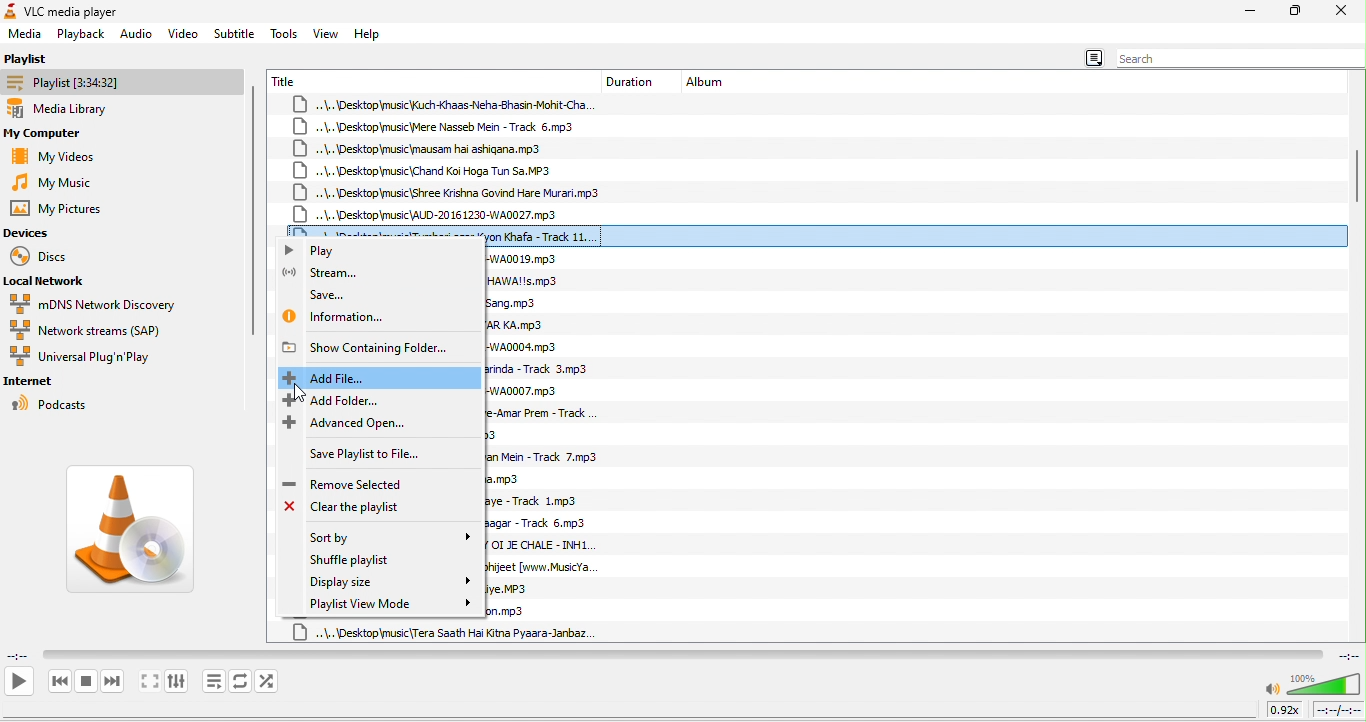 This screenshot has width=1366, height=722. I want to click on internet, so click(40, 381).